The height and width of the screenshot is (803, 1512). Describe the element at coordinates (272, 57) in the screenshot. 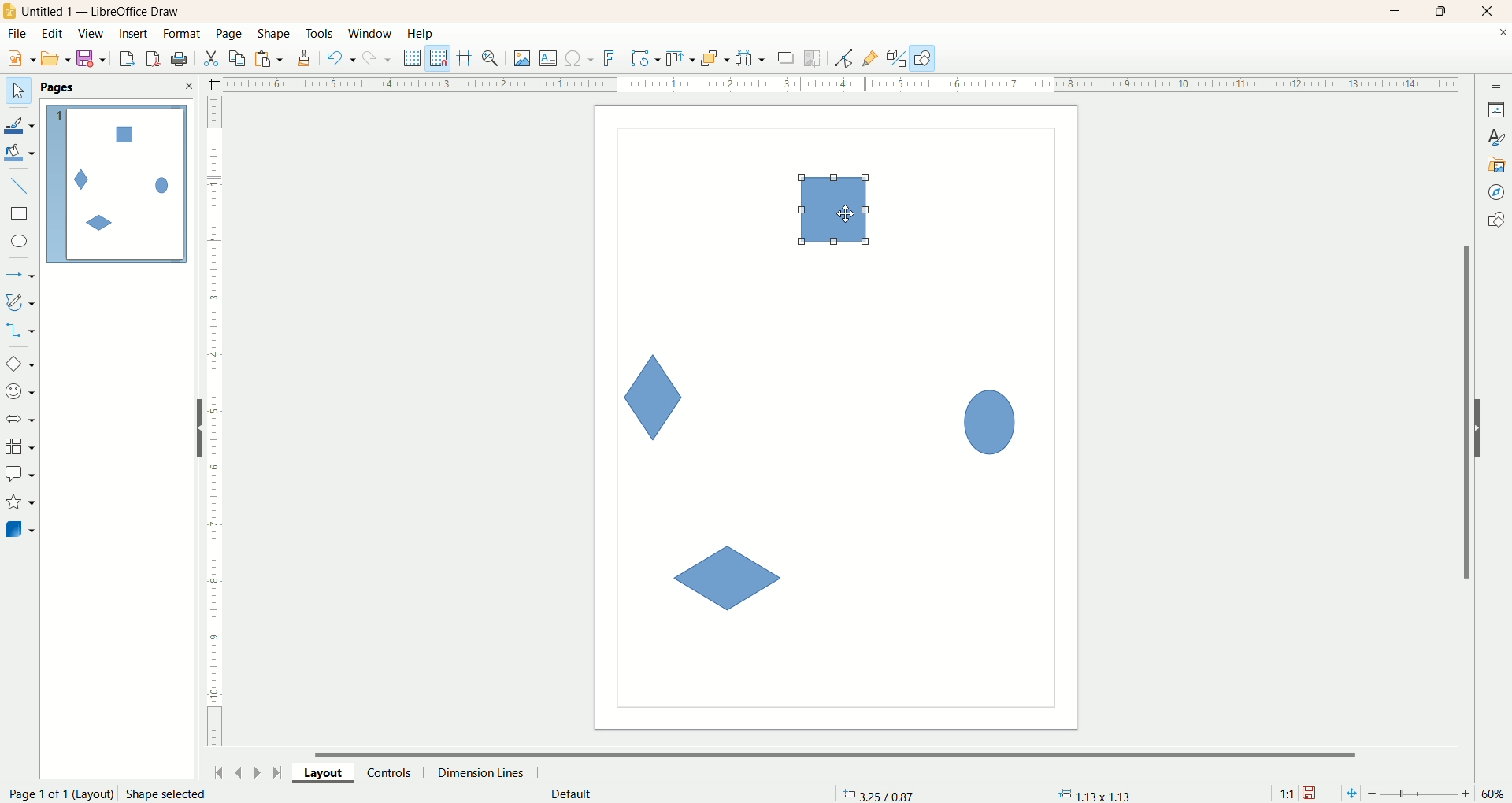

I see `paste` at that location.